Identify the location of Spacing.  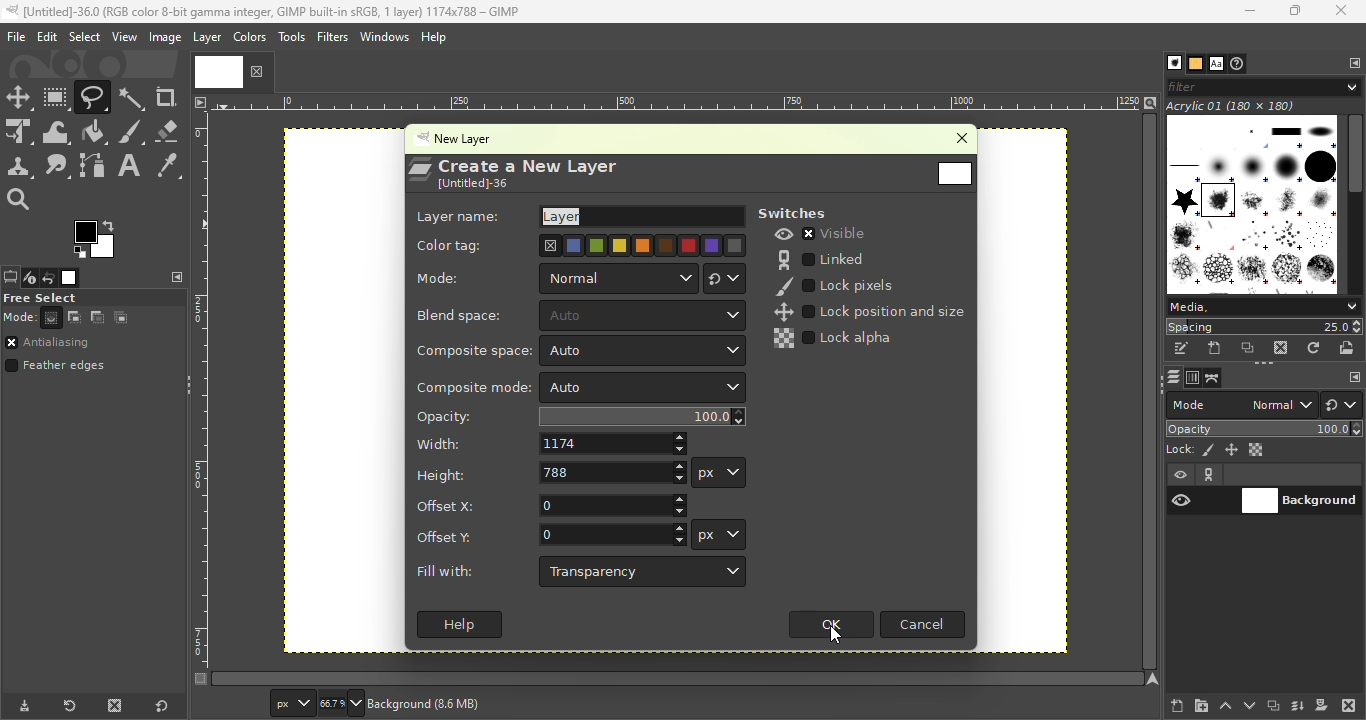
(1264, 326).